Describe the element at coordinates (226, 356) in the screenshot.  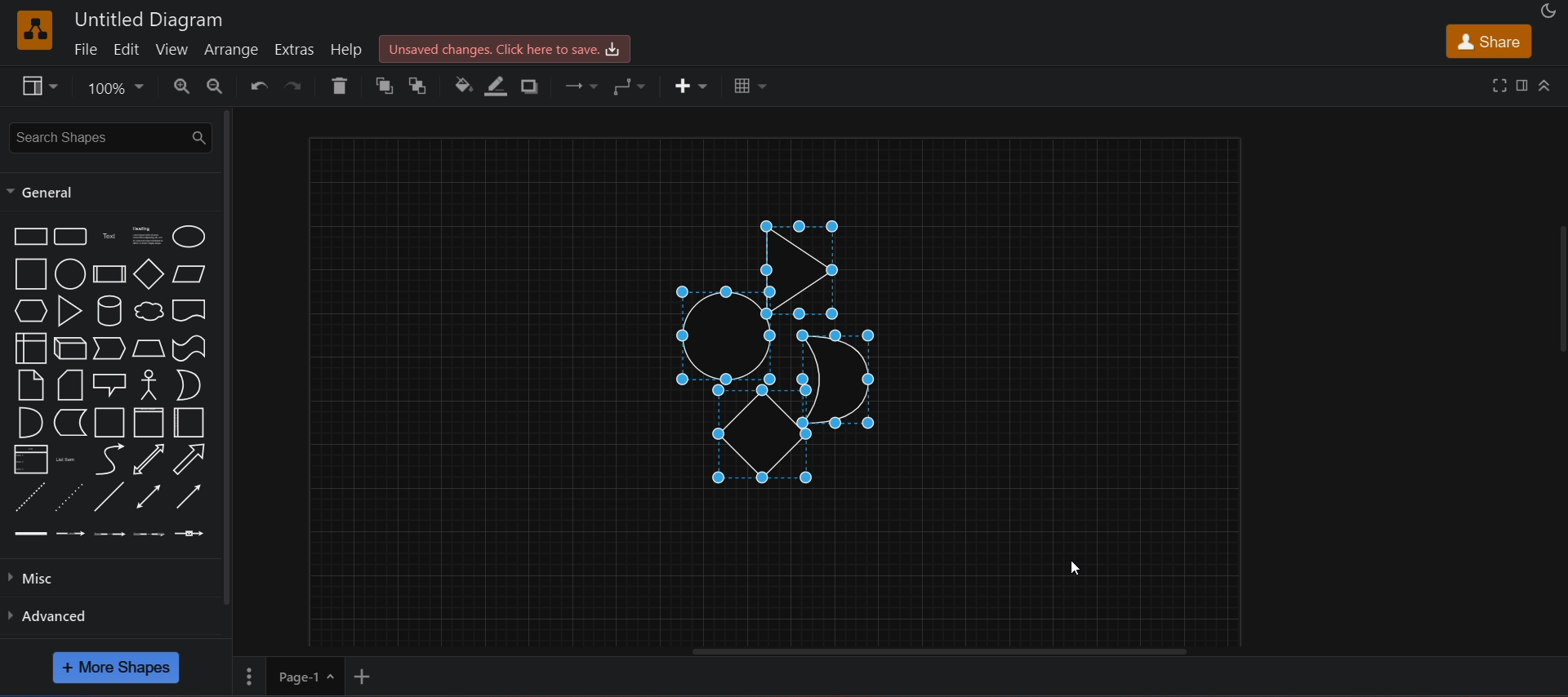
I see `vertical scroll bar` at that location.